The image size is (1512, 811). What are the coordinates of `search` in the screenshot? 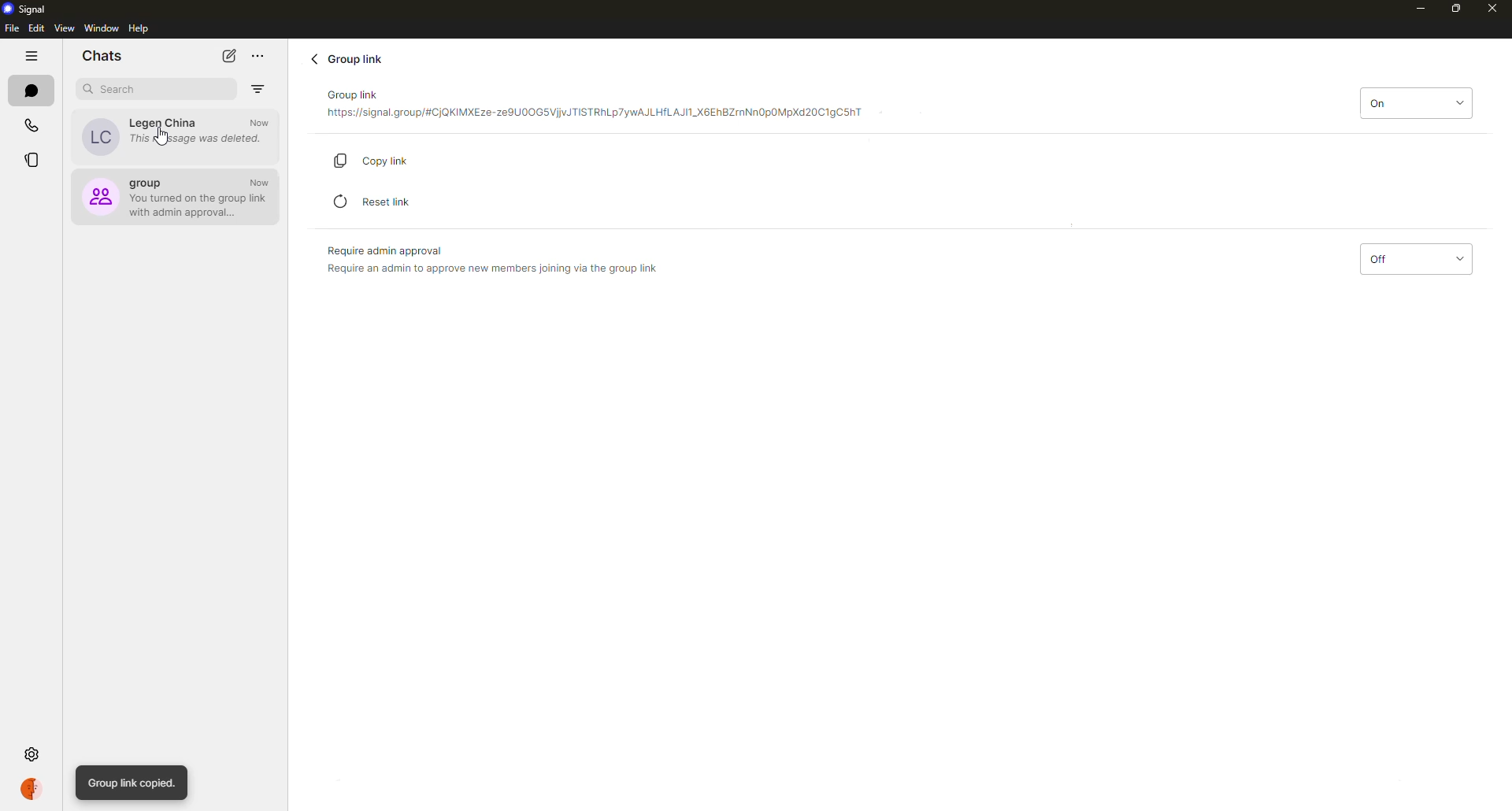 It's located at (117, 89).